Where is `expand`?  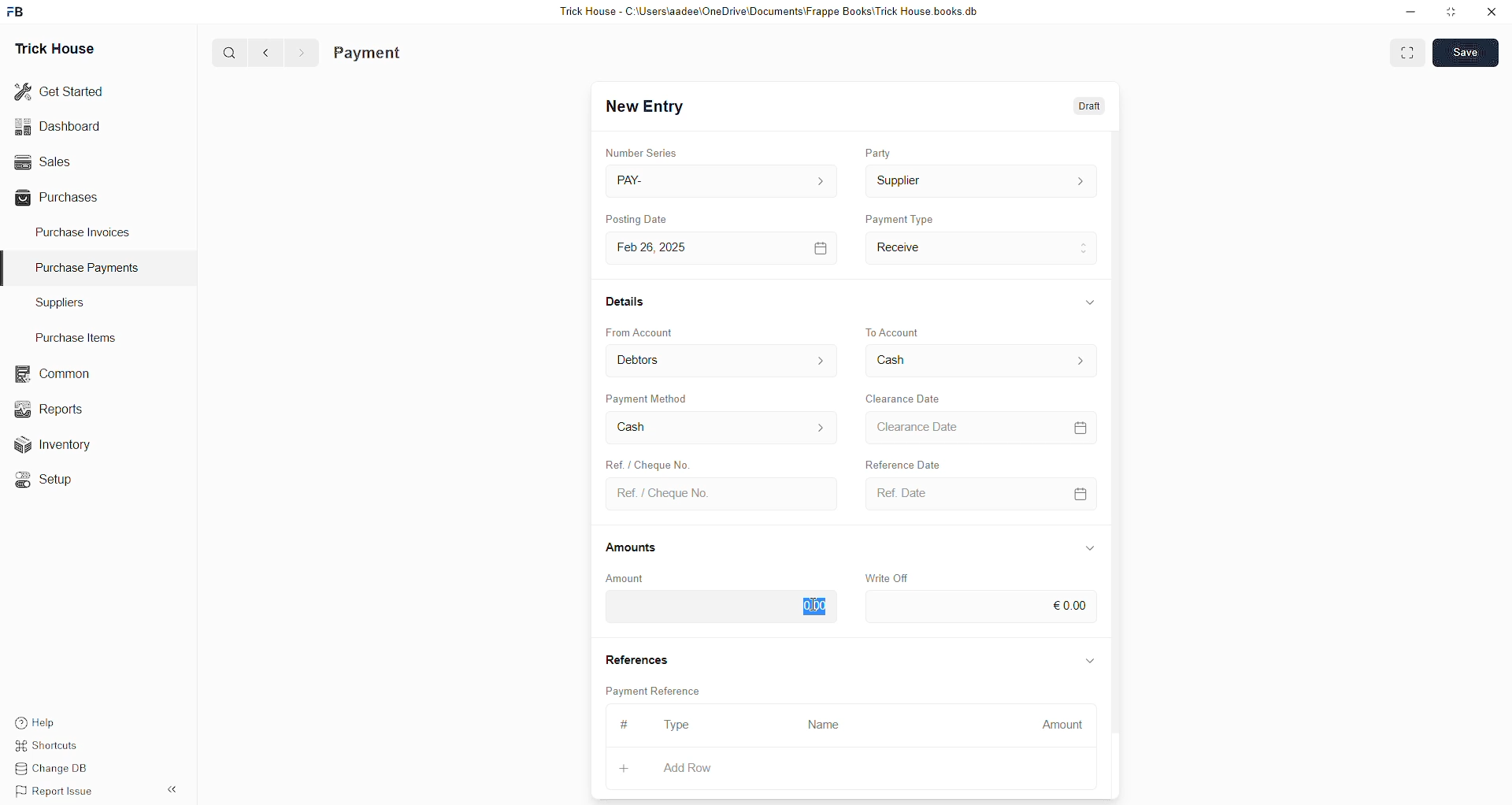
expand is located at coordinates (1091, 546).